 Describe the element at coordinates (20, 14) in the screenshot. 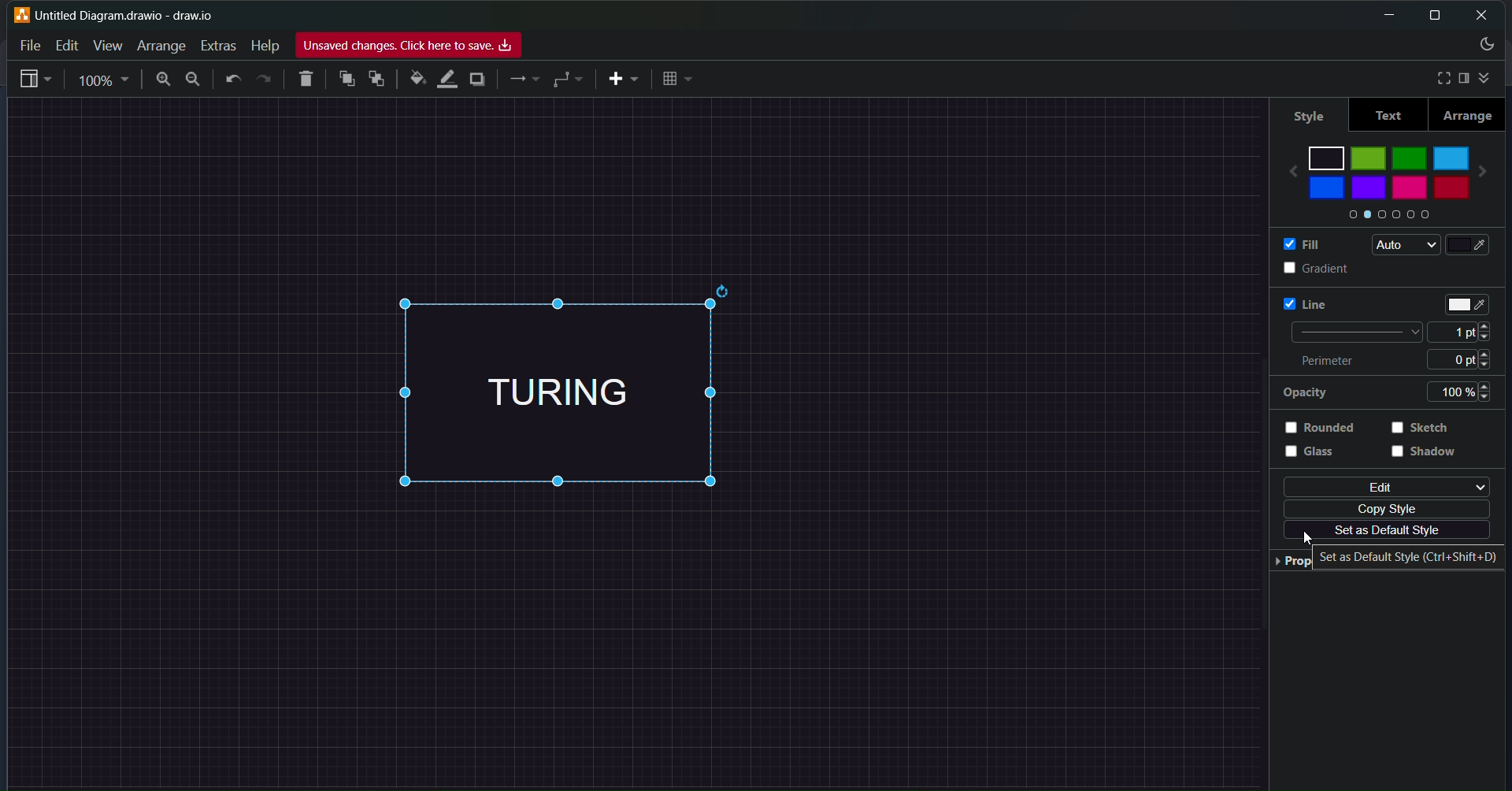

I see `logo` at that location.